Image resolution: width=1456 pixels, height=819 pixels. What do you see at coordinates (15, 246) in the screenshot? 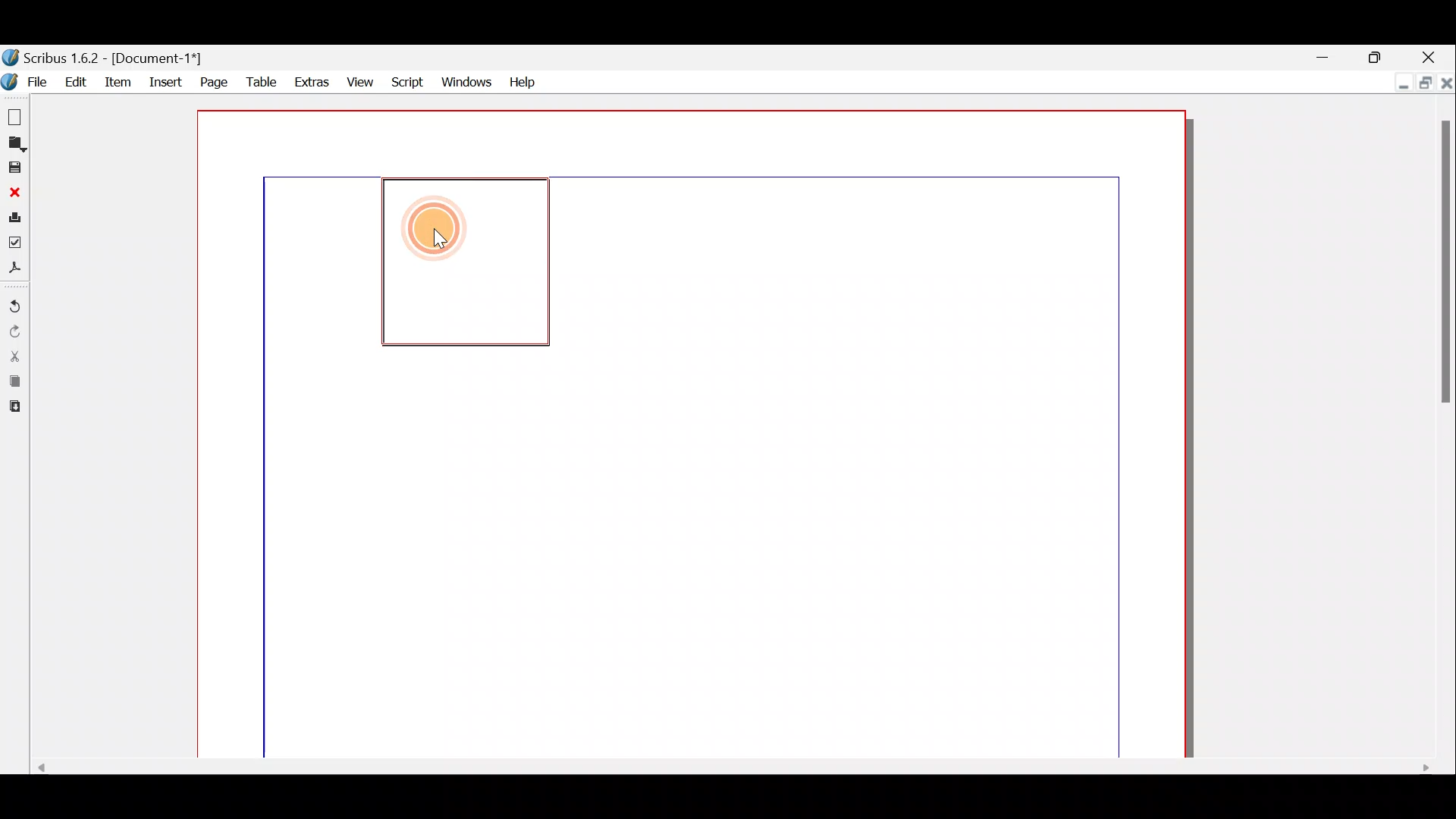
I see `Preflight verifier` at bounding box center [15, 246].